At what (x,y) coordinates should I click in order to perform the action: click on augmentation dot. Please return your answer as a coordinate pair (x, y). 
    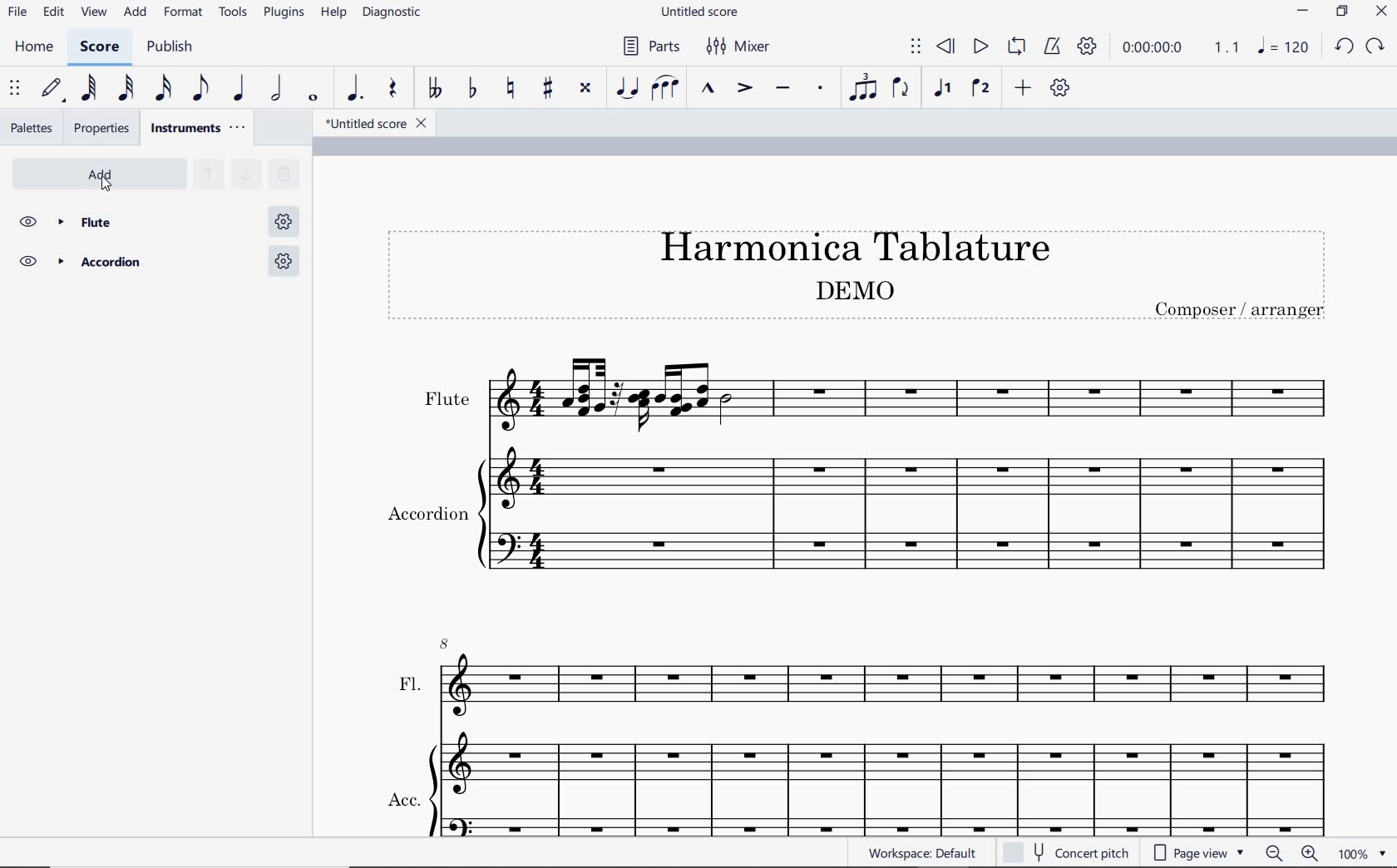
    Looking at the image, I should click on (355, 88).